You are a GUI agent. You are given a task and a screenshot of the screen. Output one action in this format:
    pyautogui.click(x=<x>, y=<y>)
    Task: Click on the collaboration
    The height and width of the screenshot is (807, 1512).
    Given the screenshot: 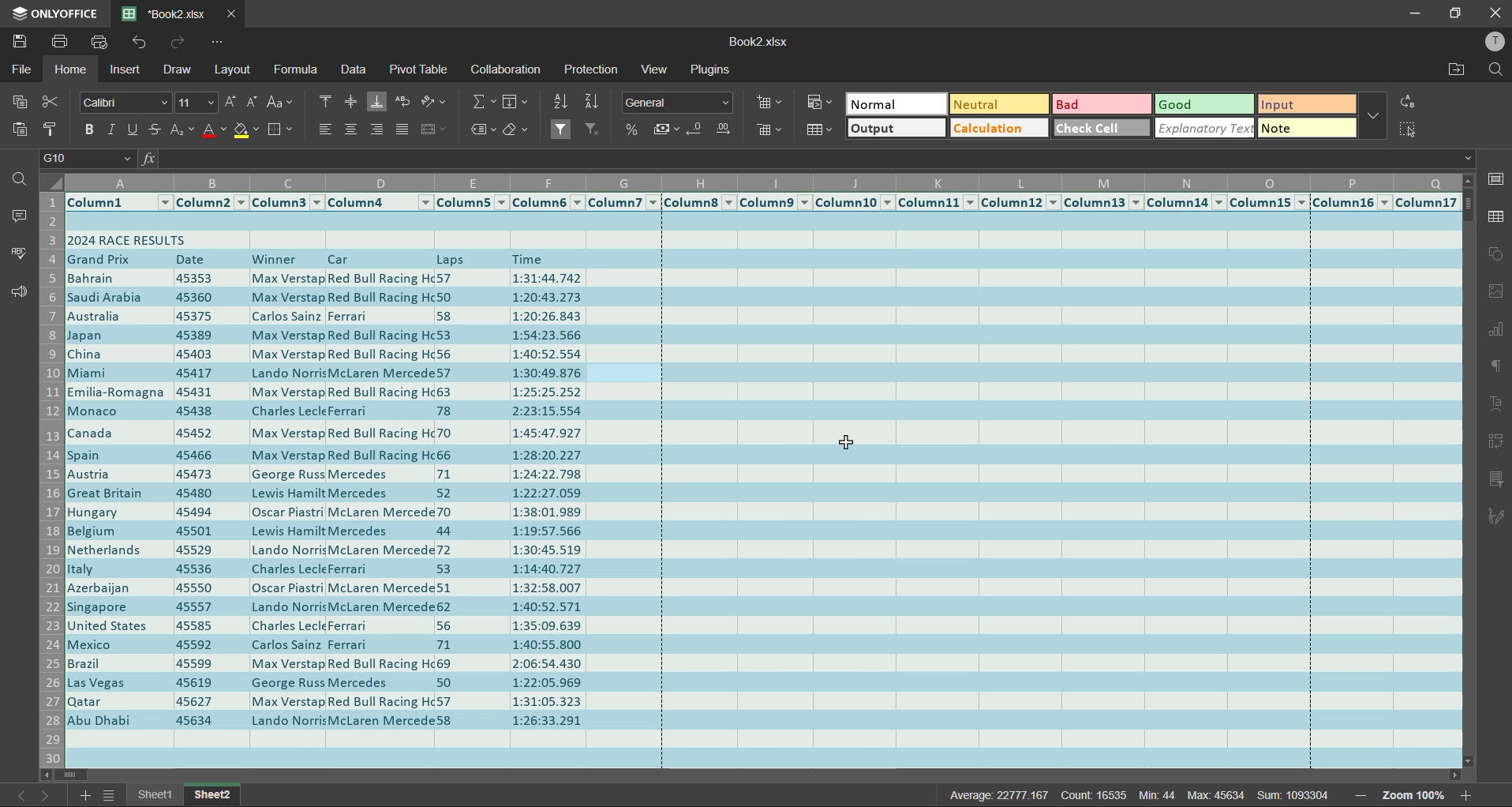 What is the action you would take?
    pyautogui.click(x=505, y=69)
    